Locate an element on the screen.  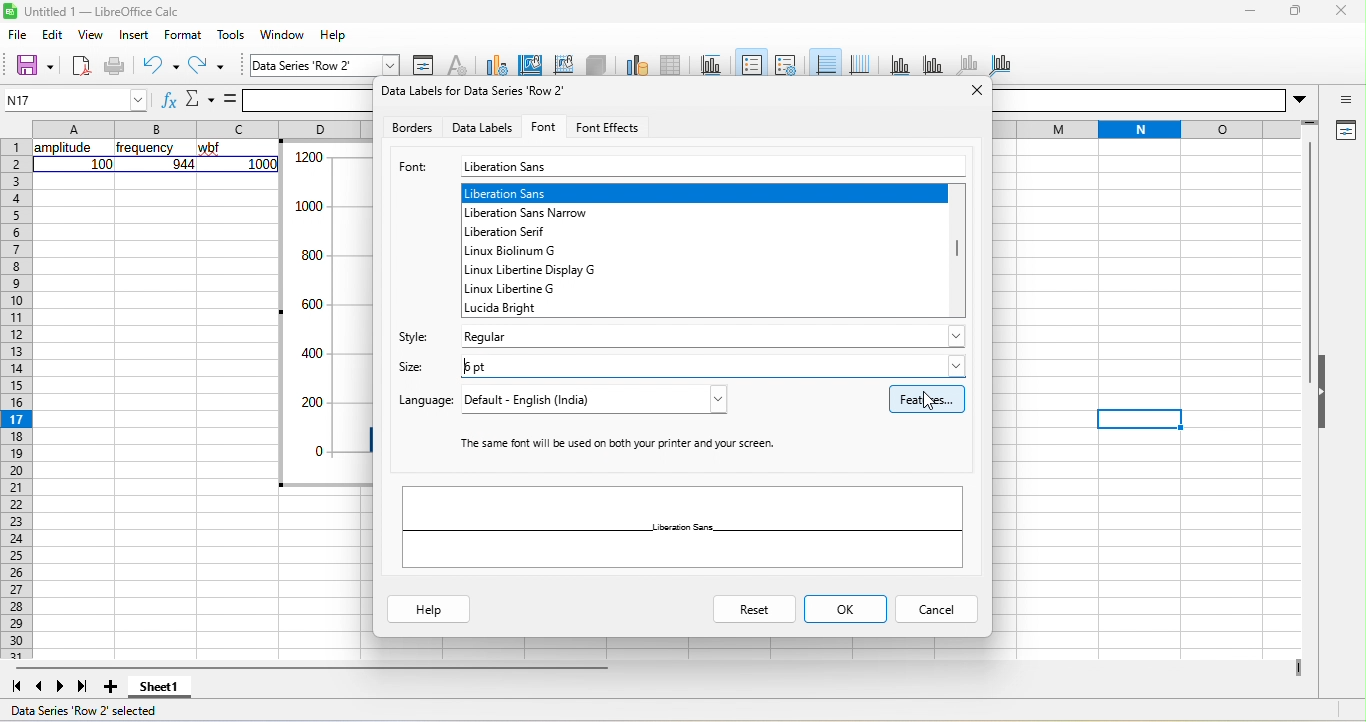
style is located at coordinates (409, 334).